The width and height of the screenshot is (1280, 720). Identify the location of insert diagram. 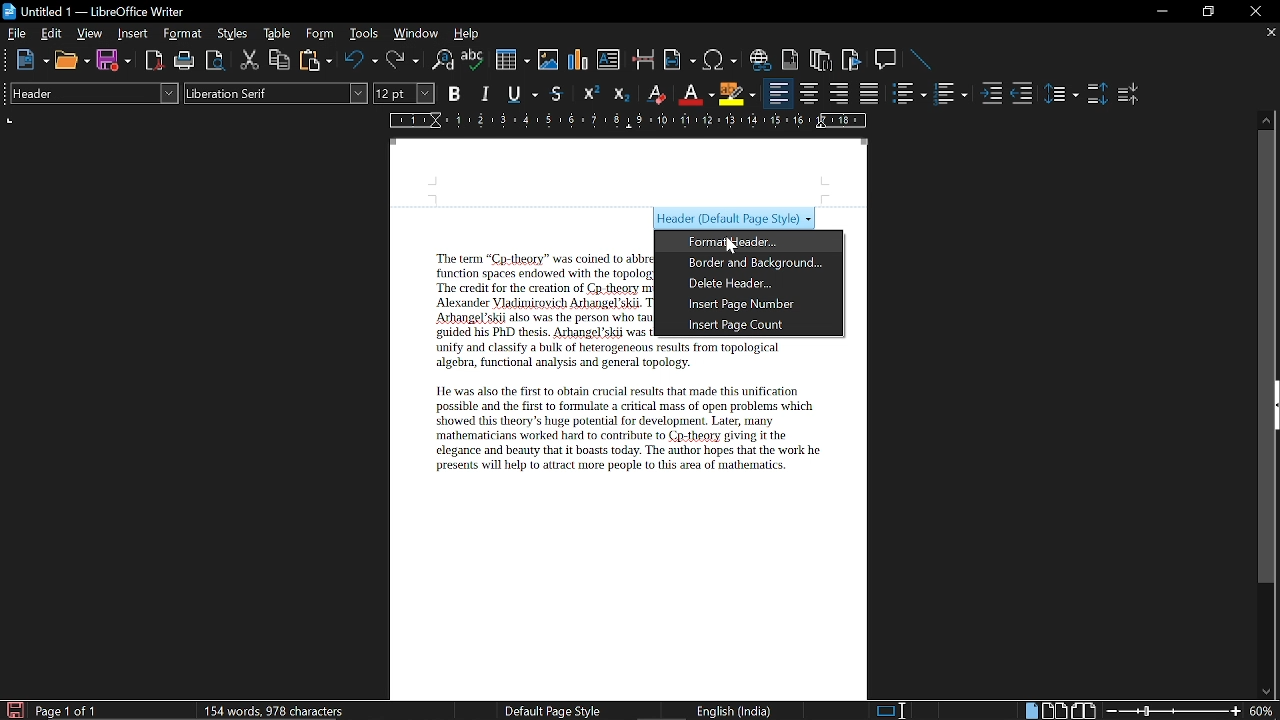
(578, 60).